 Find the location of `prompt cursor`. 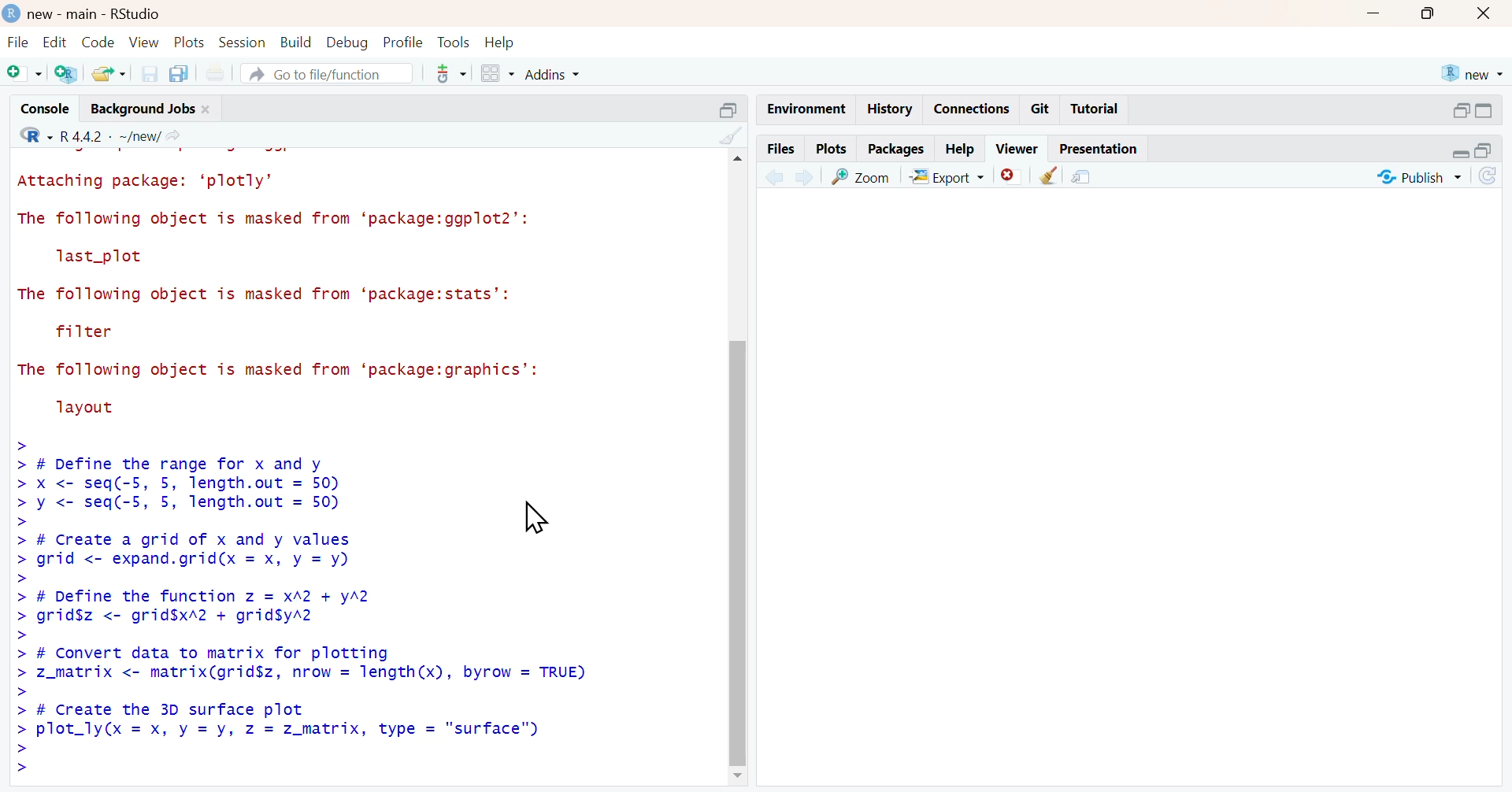

prompt cursor is located at coordinates (18, 694).